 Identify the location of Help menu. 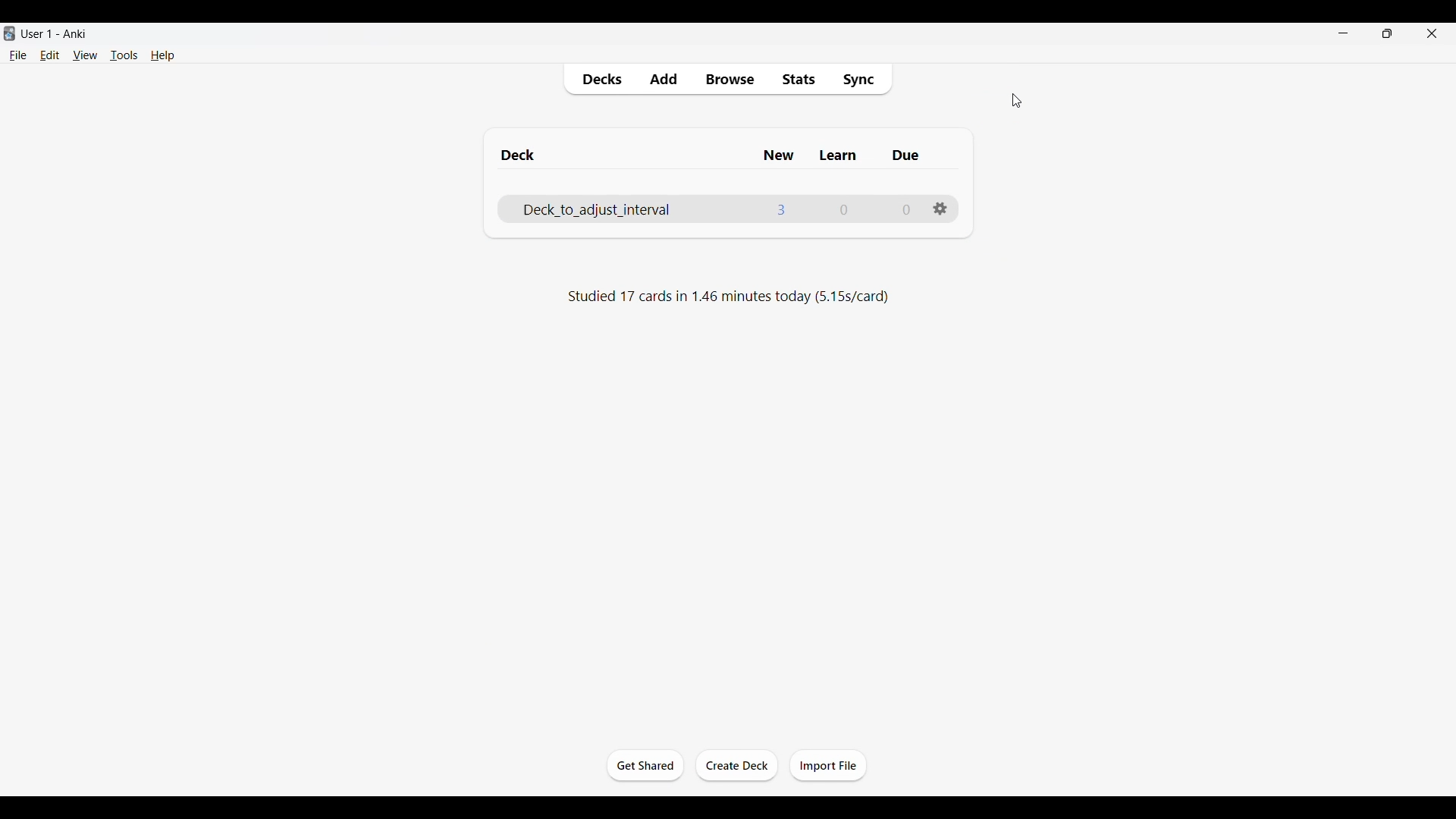
(162, 56).